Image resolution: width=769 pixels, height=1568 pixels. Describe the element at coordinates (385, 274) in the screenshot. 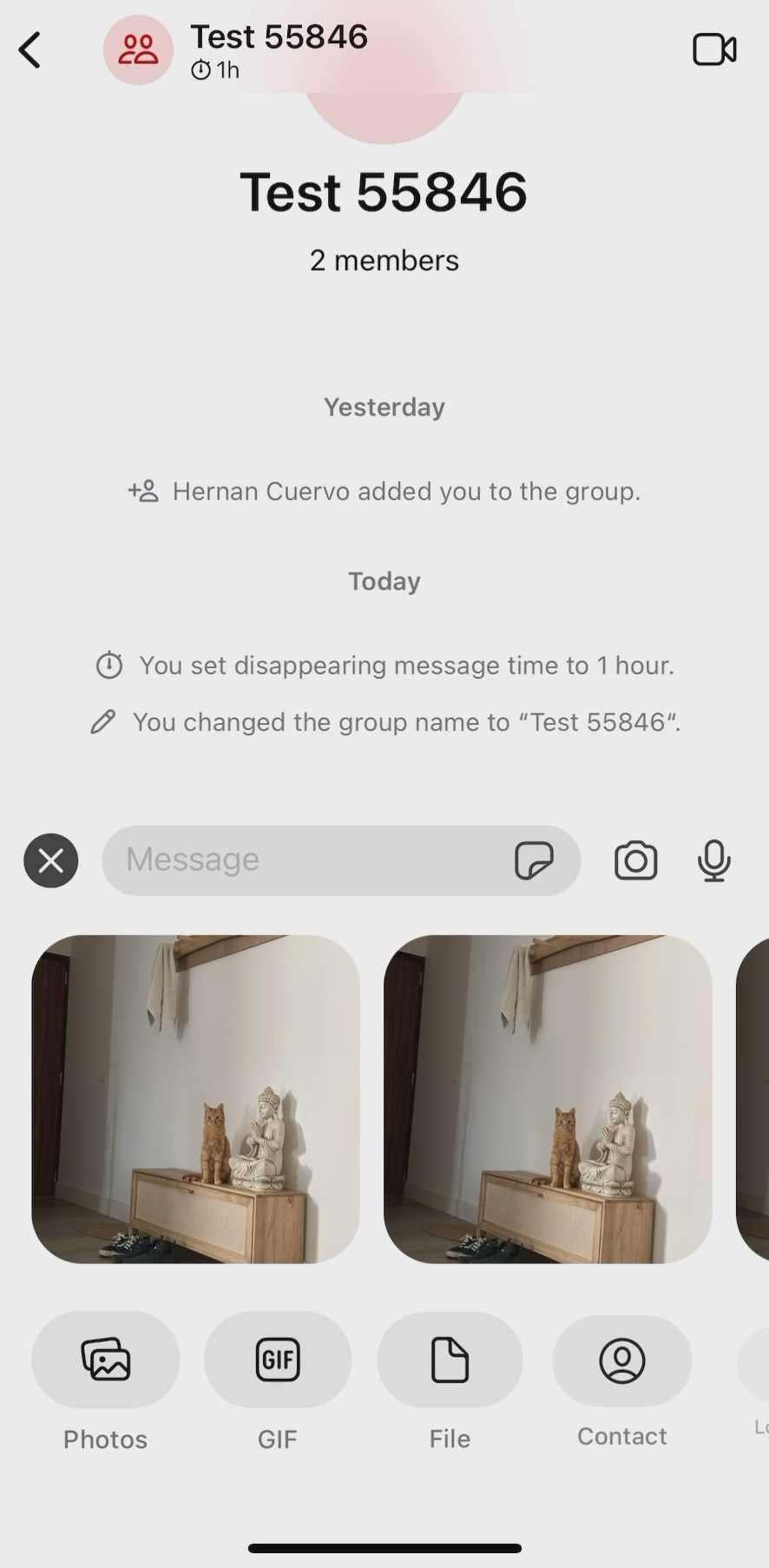

I see `2 members` at that location.